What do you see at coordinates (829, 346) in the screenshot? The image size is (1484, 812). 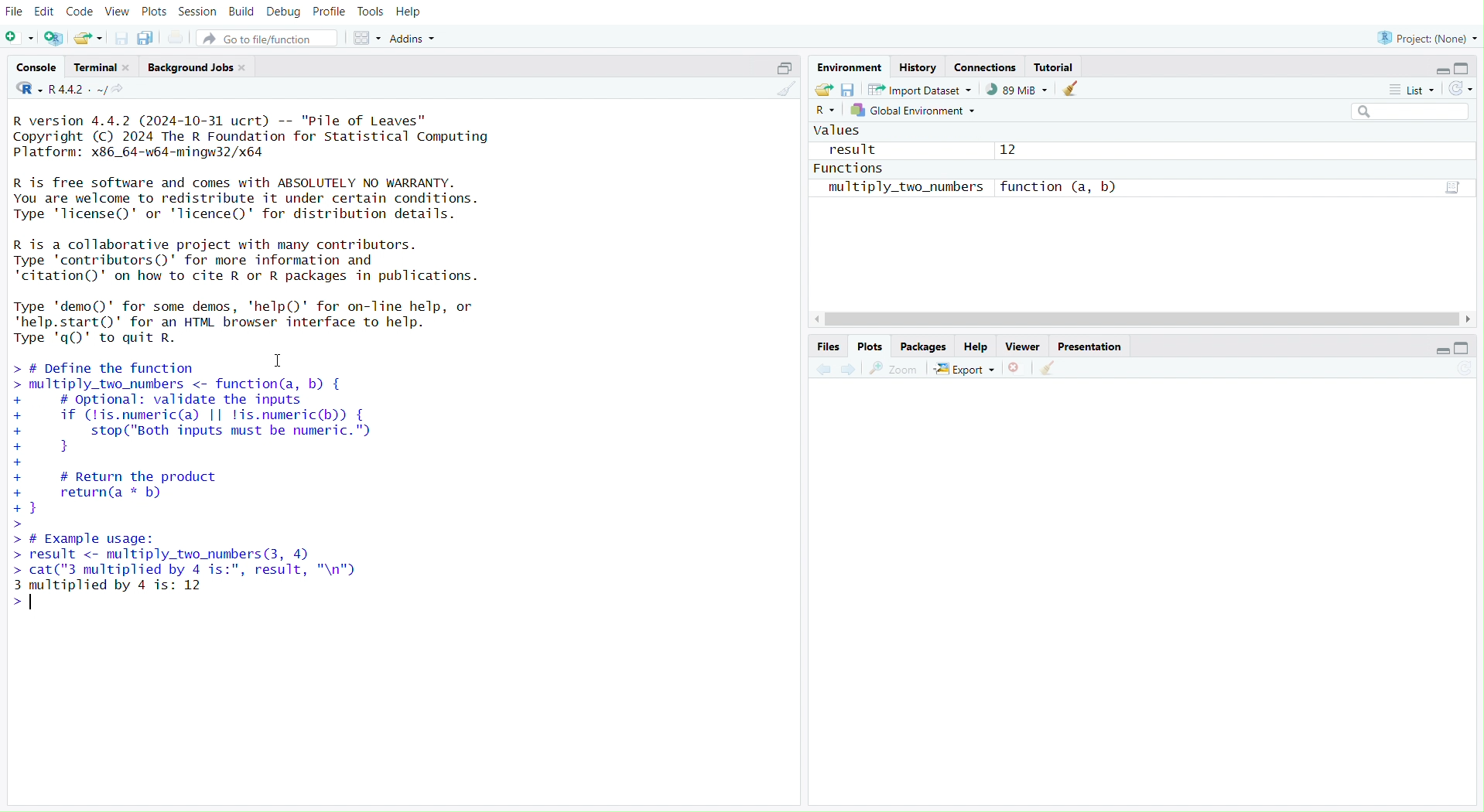 I see `Files` at bounding box center [829, 346].